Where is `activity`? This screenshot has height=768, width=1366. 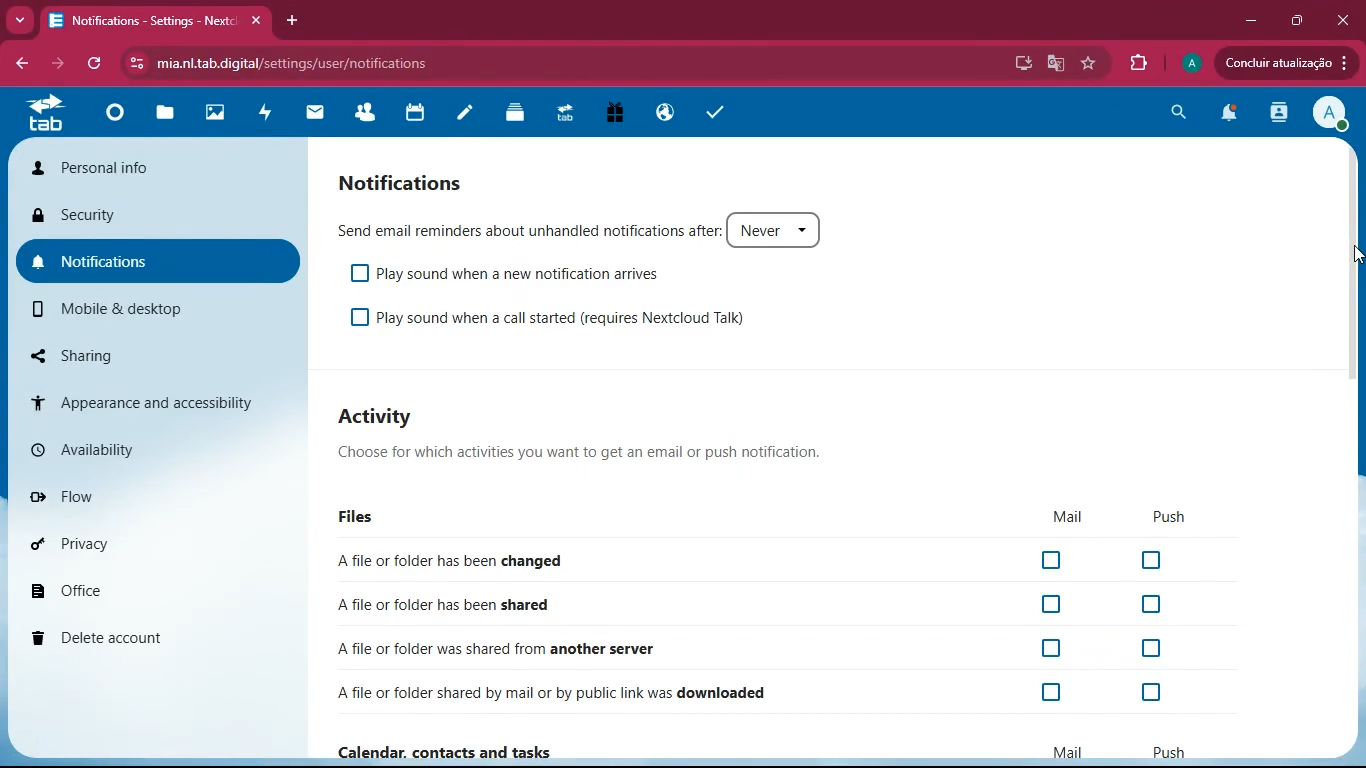
activity is located at coordinates (271, 116).